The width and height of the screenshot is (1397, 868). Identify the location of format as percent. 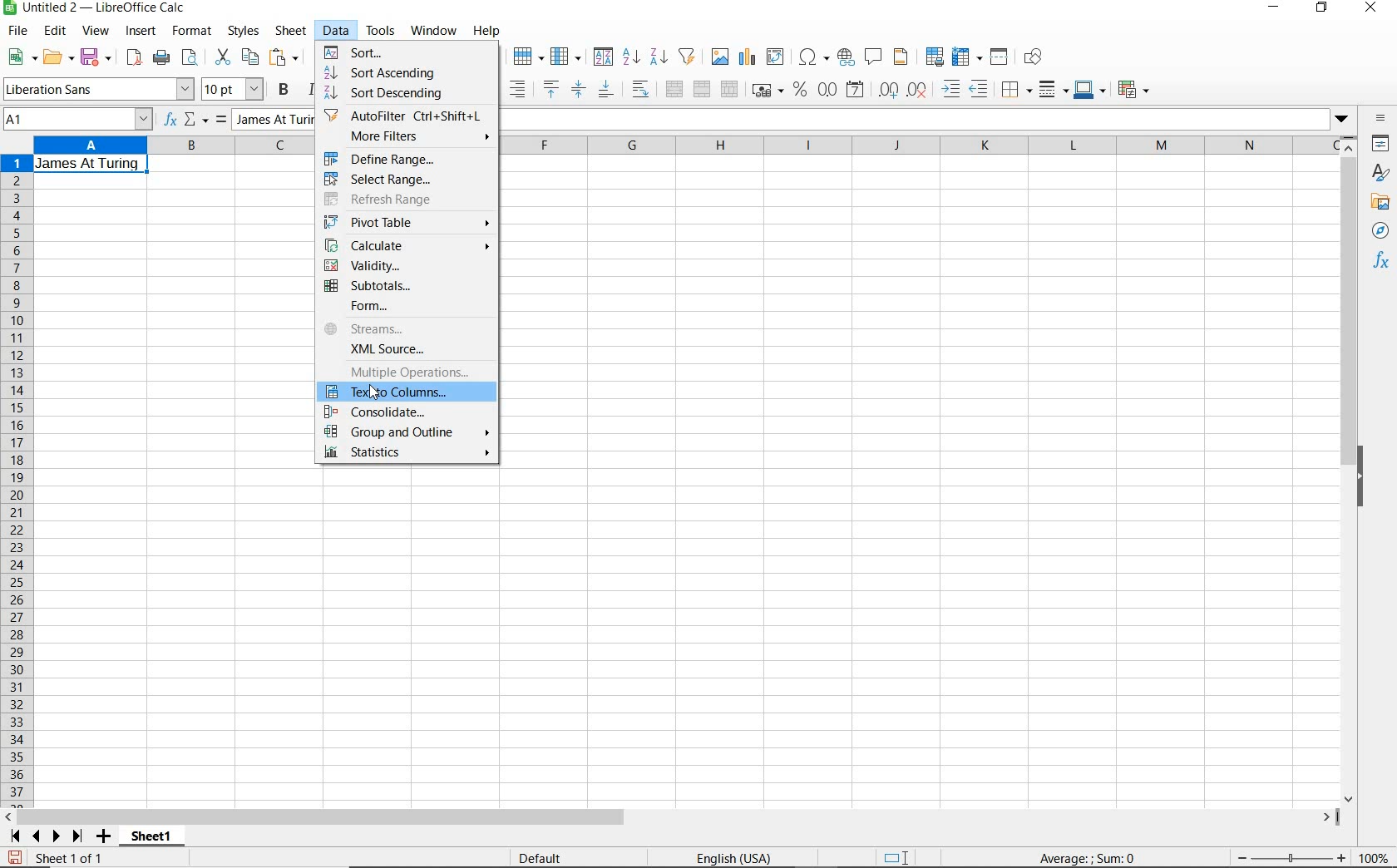
(799, 91).